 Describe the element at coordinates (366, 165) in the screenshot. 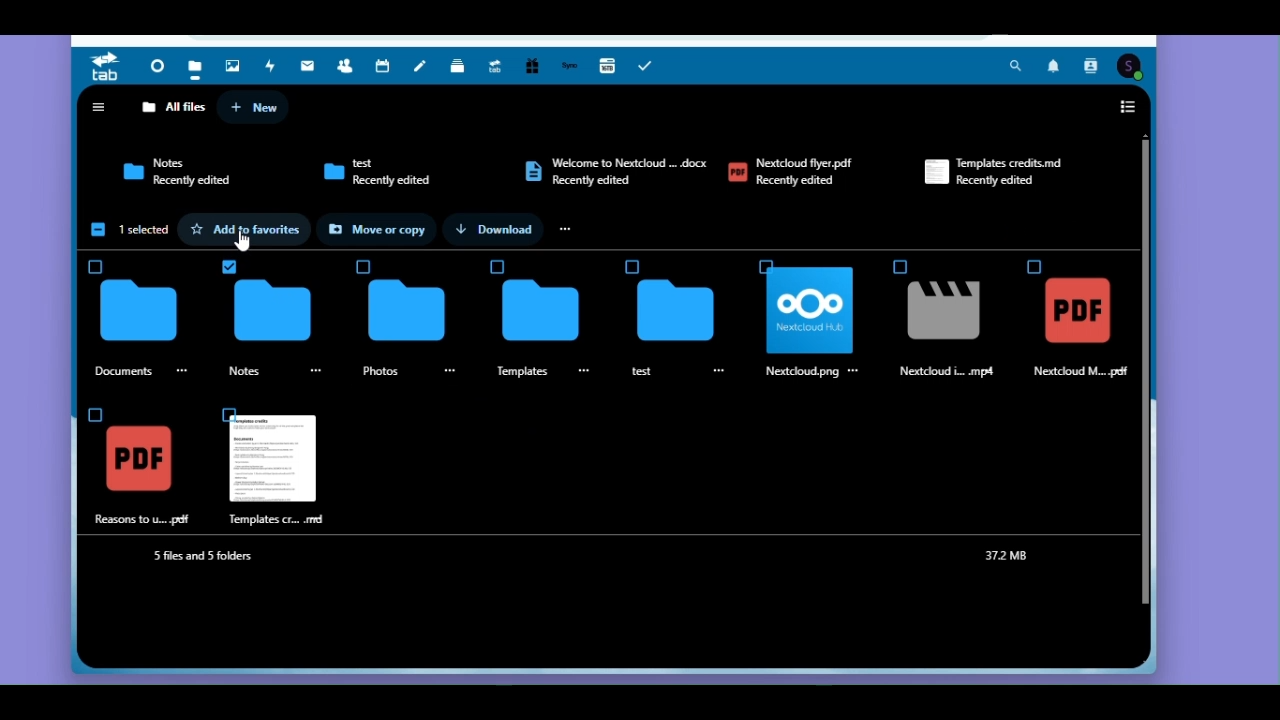

I see `Test` at that location.